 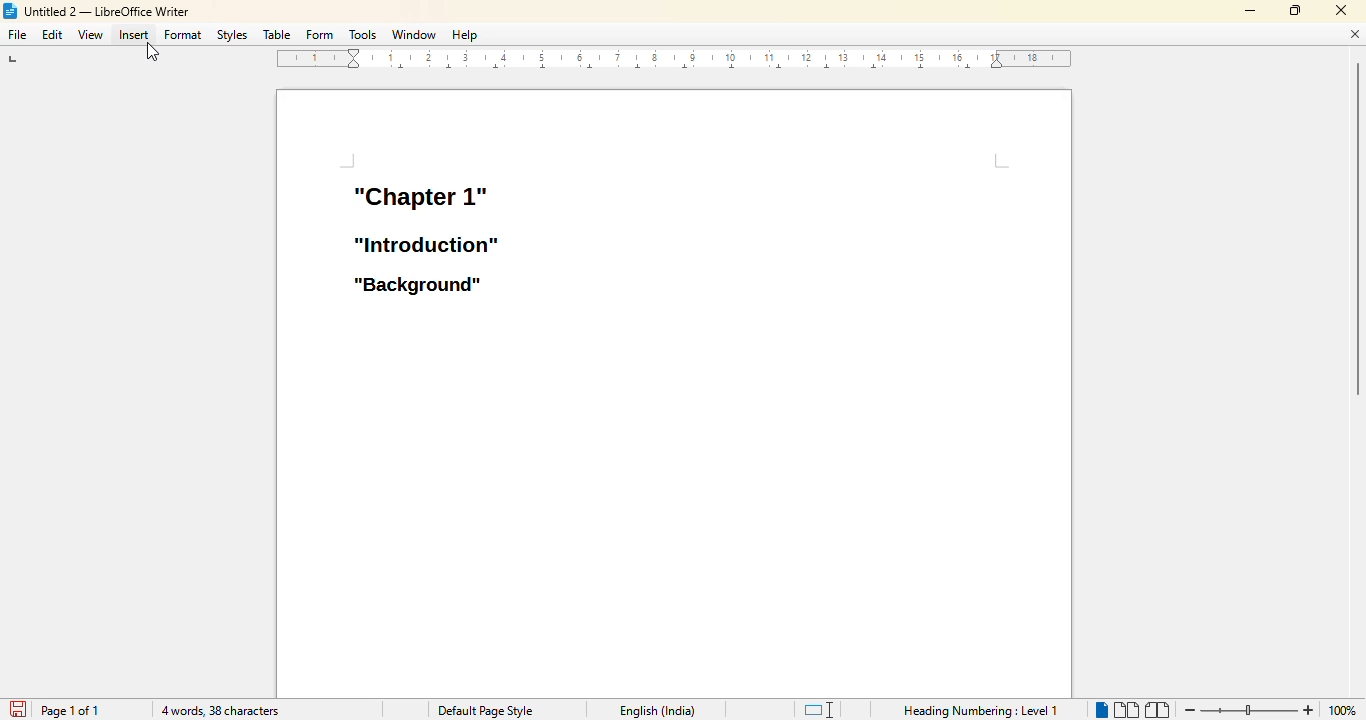 I want to click on view single page, so click(x=1099, y=707).